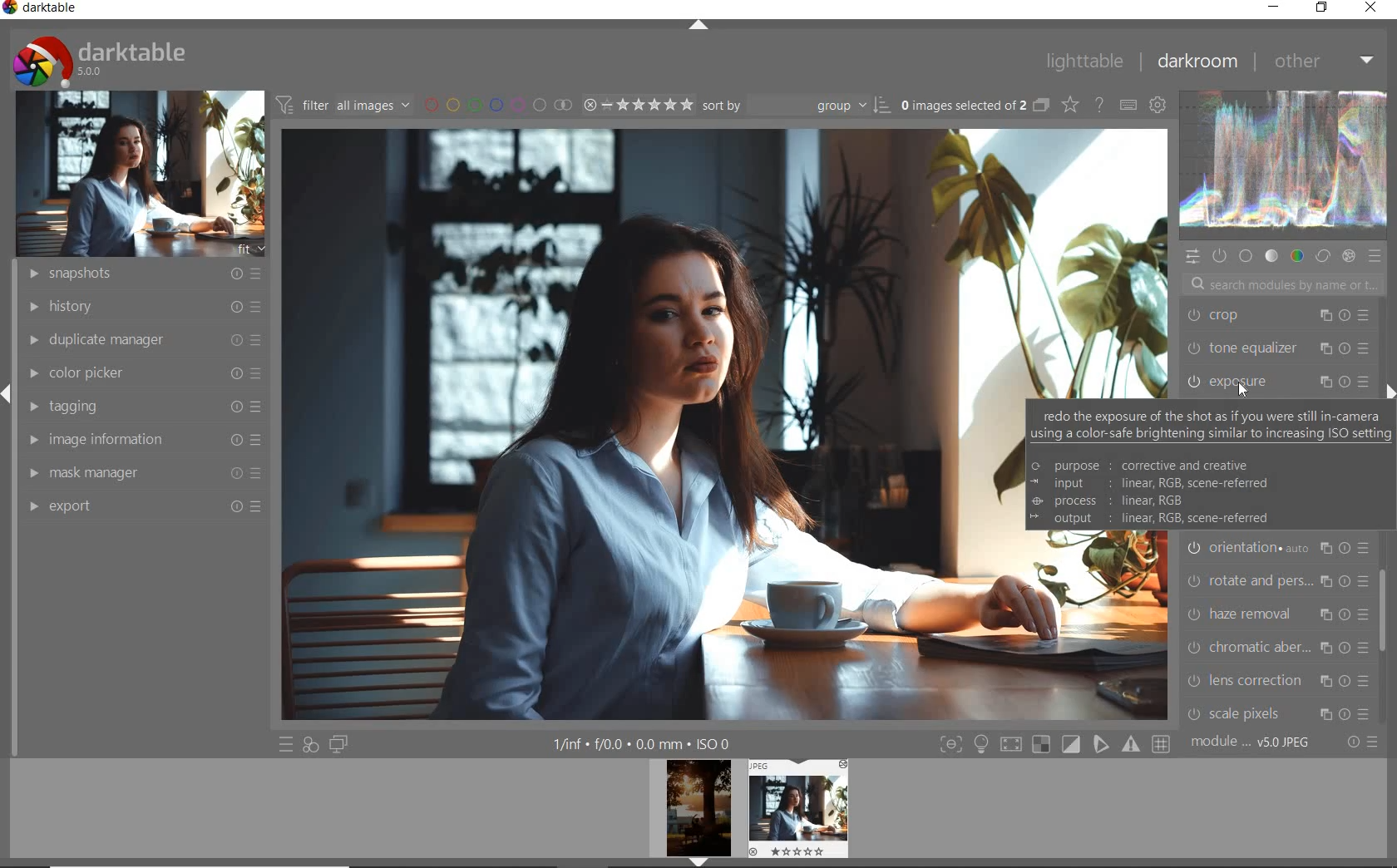  What do you see at coordinates (141, 405) in the screenshot?
I see `TAGGING` at bounding box center [141, 405].